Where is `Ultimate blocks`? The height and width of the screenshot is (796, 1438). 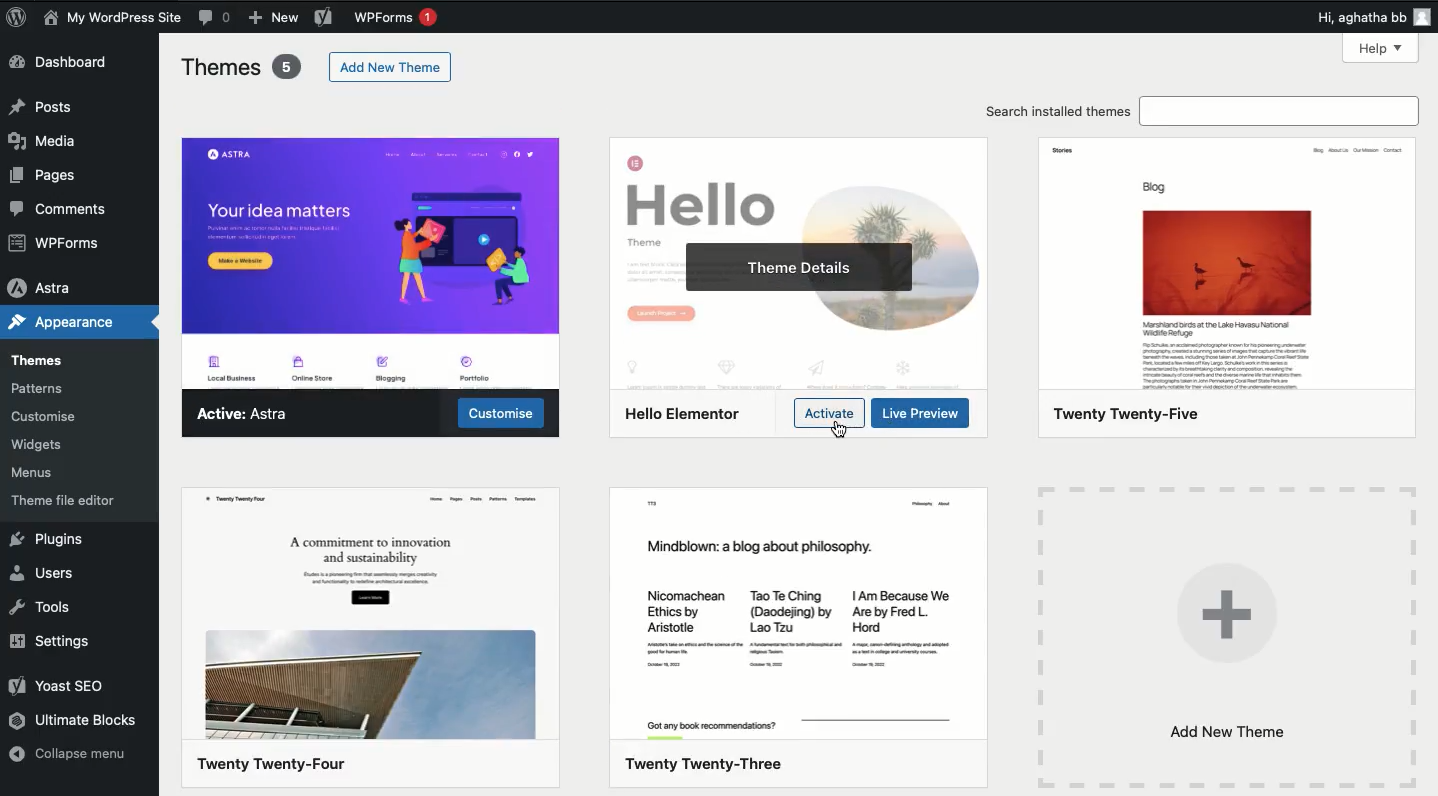 Ultimate blocks is located at coordinates (80, 722).